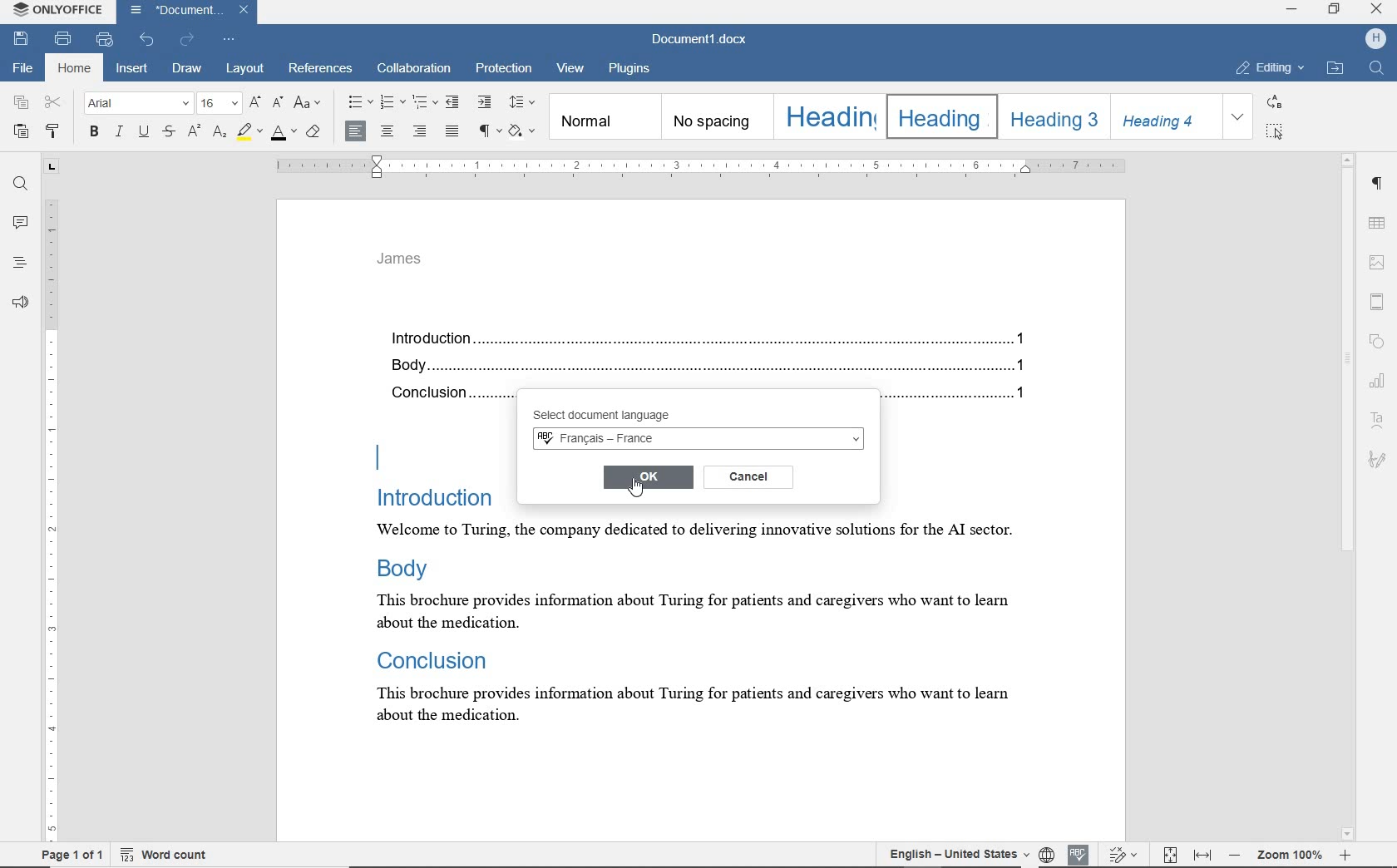  I want to click on collaboration, so click(415, 70).